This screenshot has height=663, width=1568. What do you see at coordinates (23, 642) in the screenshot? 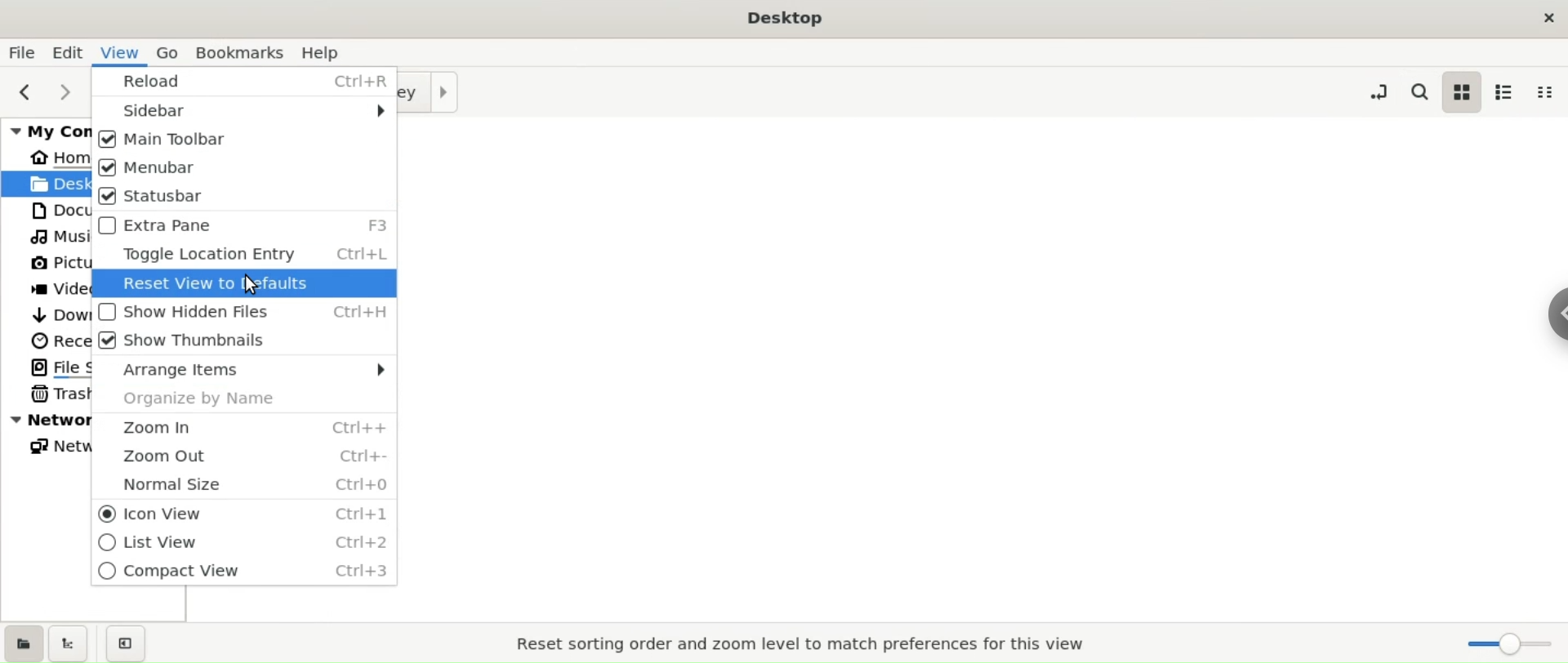
I see `show places` at bounding box center [23, 642].